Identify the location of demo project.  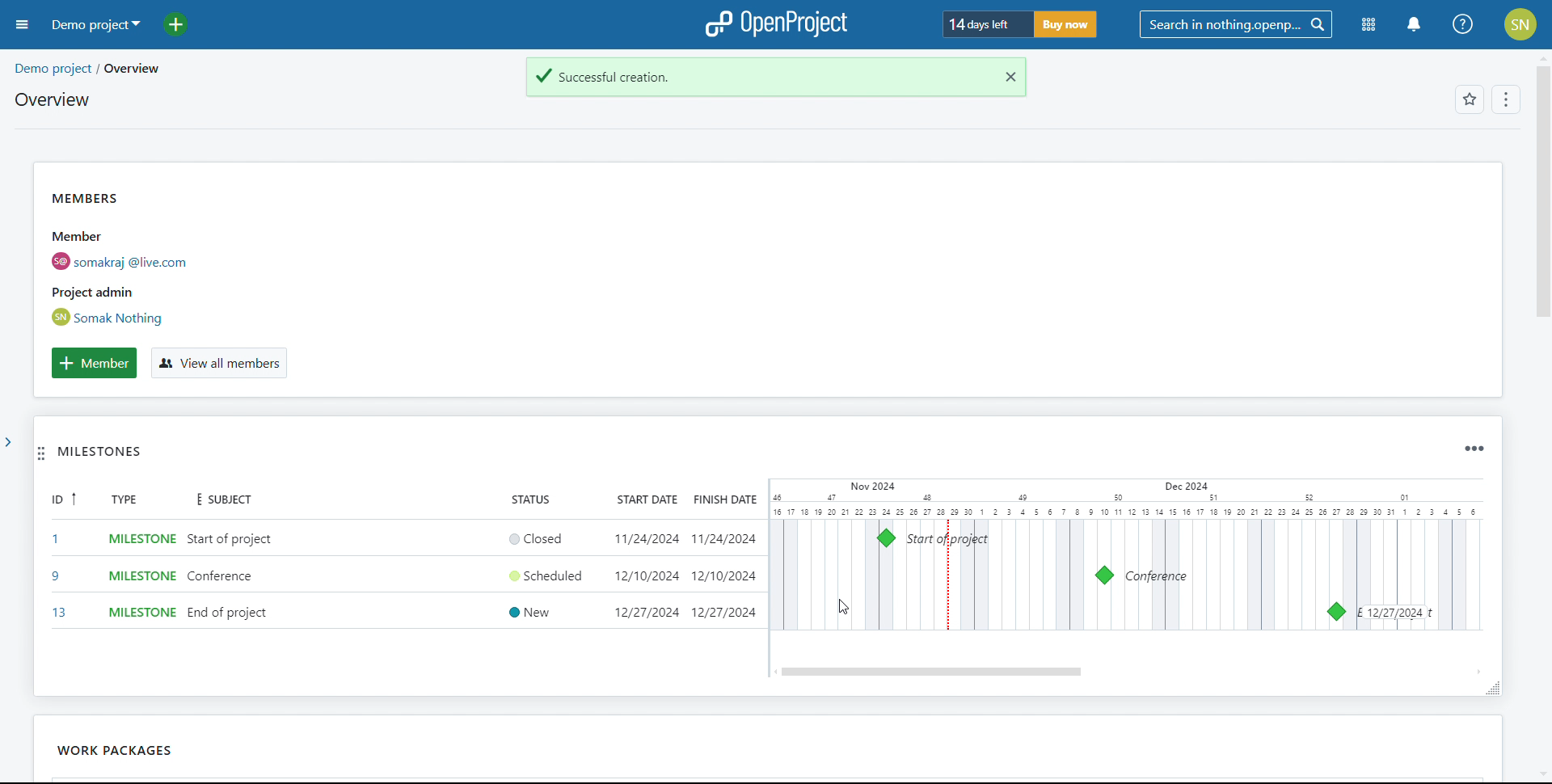
(94, 24).